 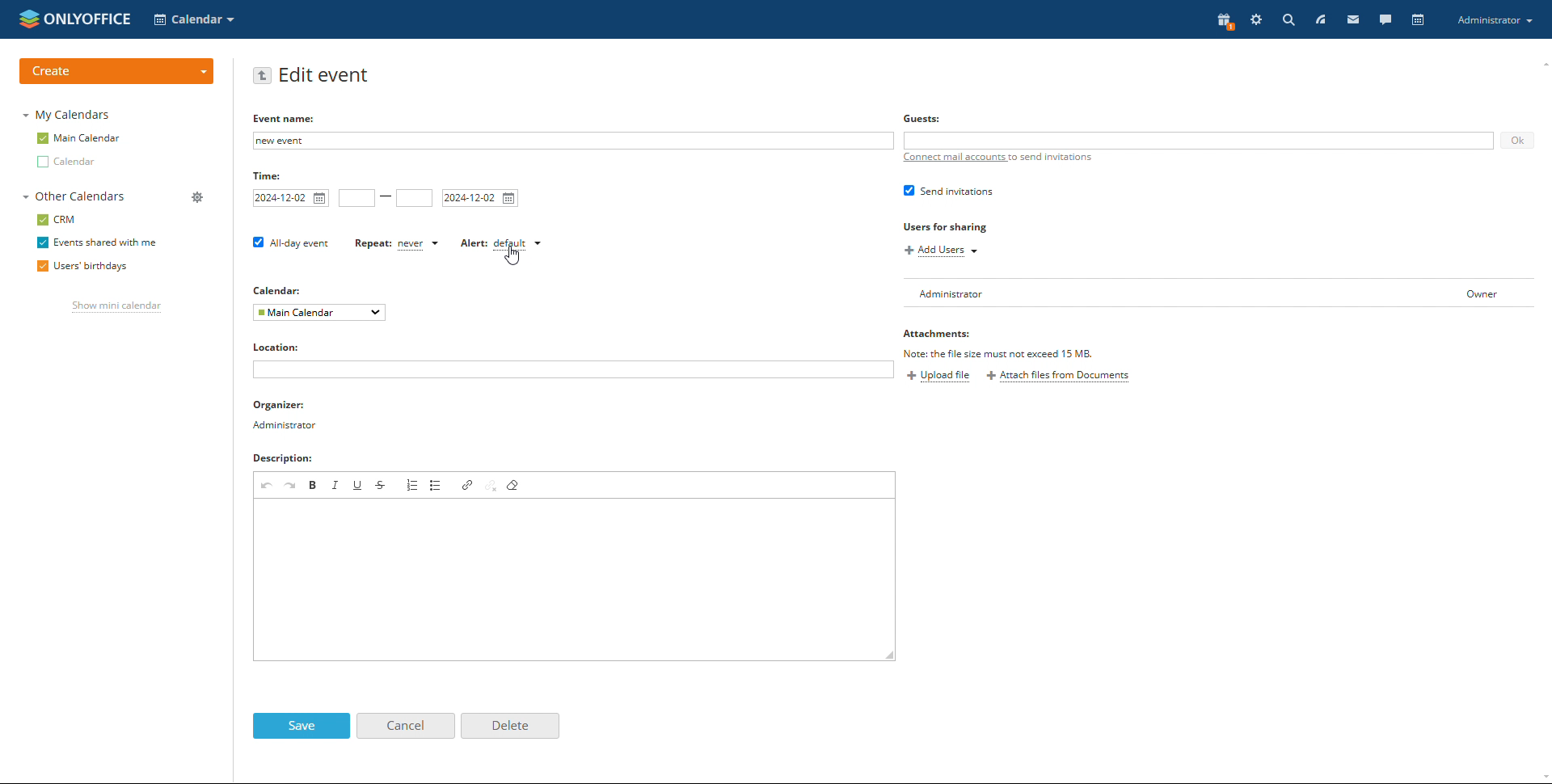 What do you see at coordinates (466, 484) in the screenshot?
I see `link` at bounding box center [466, 484].